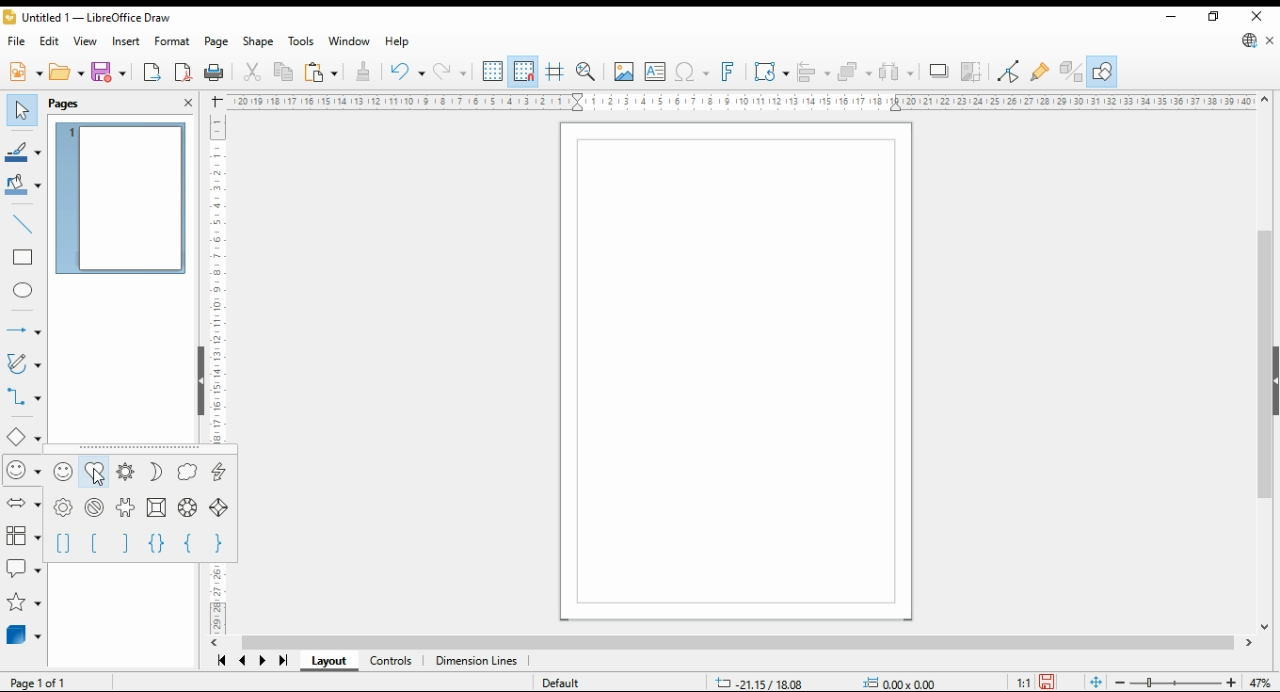  I want to click on shadow, so click(938, 71).